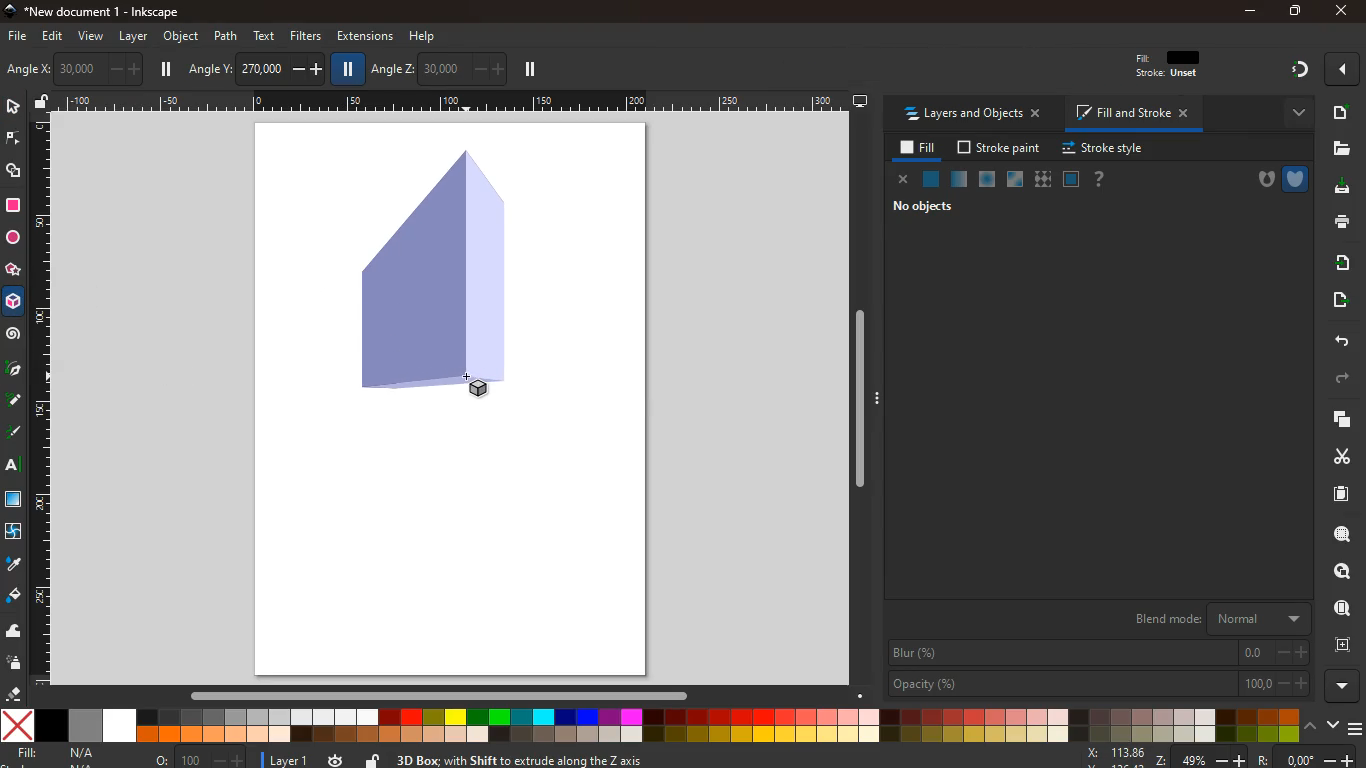  What do you see at coordinates (133, 36) in the screenshot?
I see `layer` at bounding box center [133, 36].